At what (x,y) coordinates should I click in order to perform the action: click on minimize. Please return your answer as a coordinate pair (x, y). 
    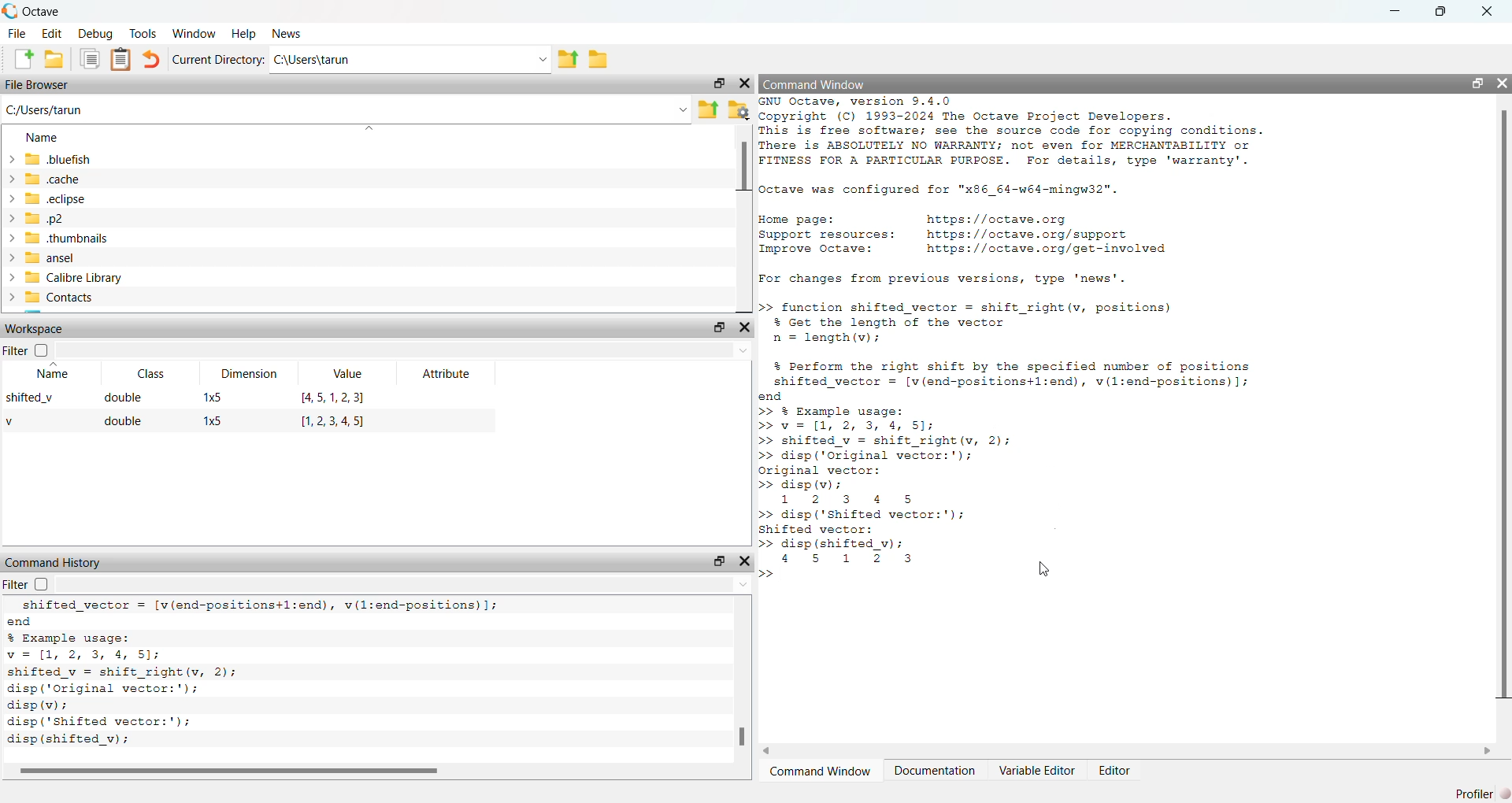
    Looking at the image, I should click on (1395, 10).